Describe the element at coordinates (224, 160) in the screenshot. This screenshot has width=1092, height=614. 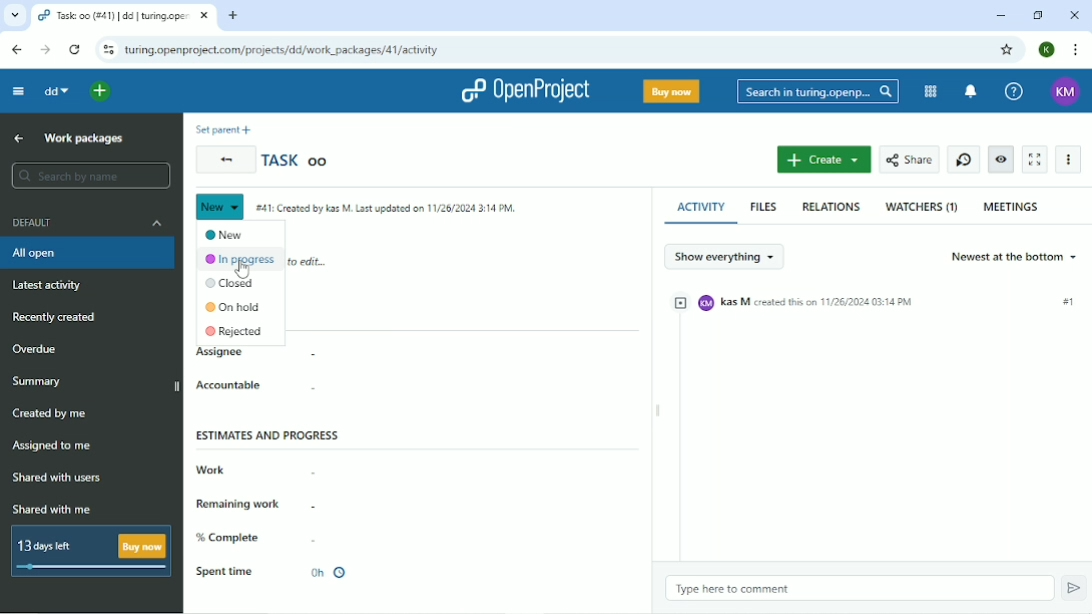
I see `Back` at that location.